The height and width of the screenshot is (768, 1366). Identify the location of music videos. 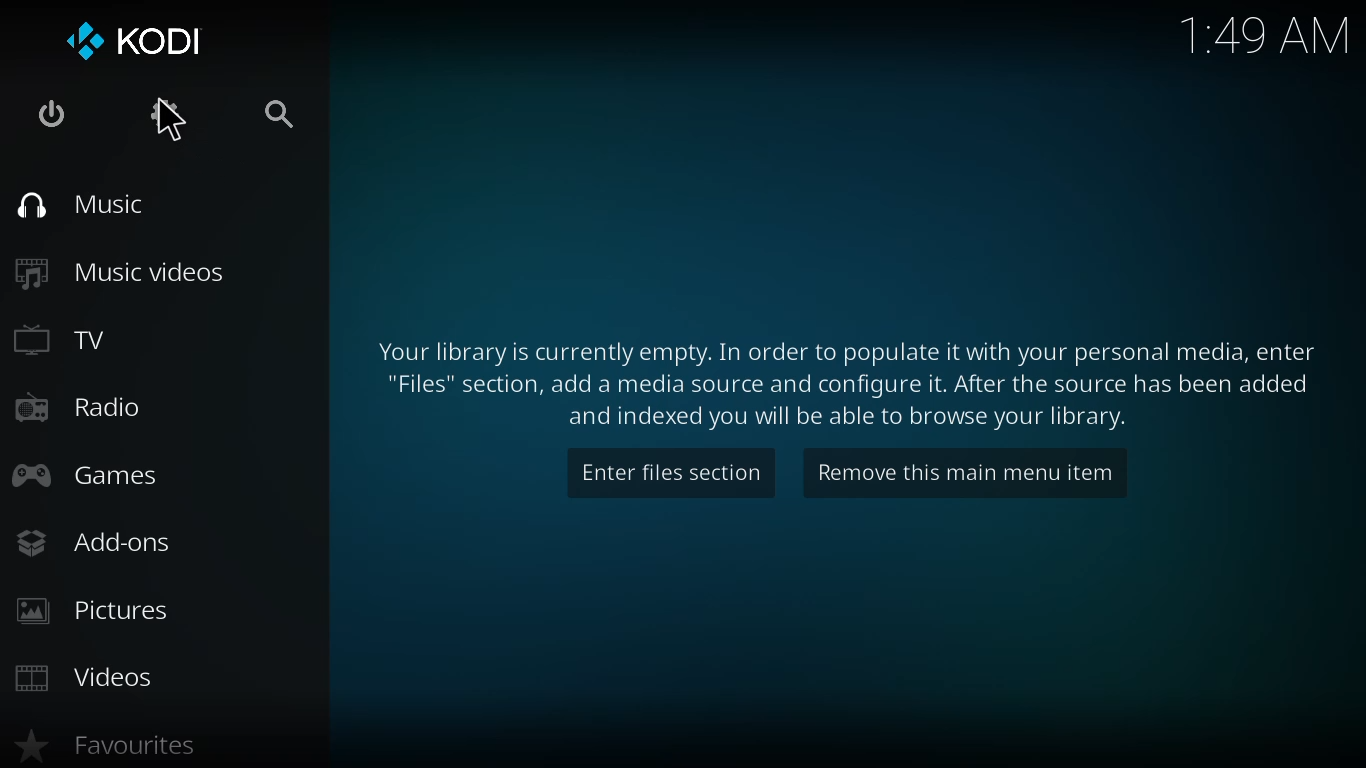
(122, 272).